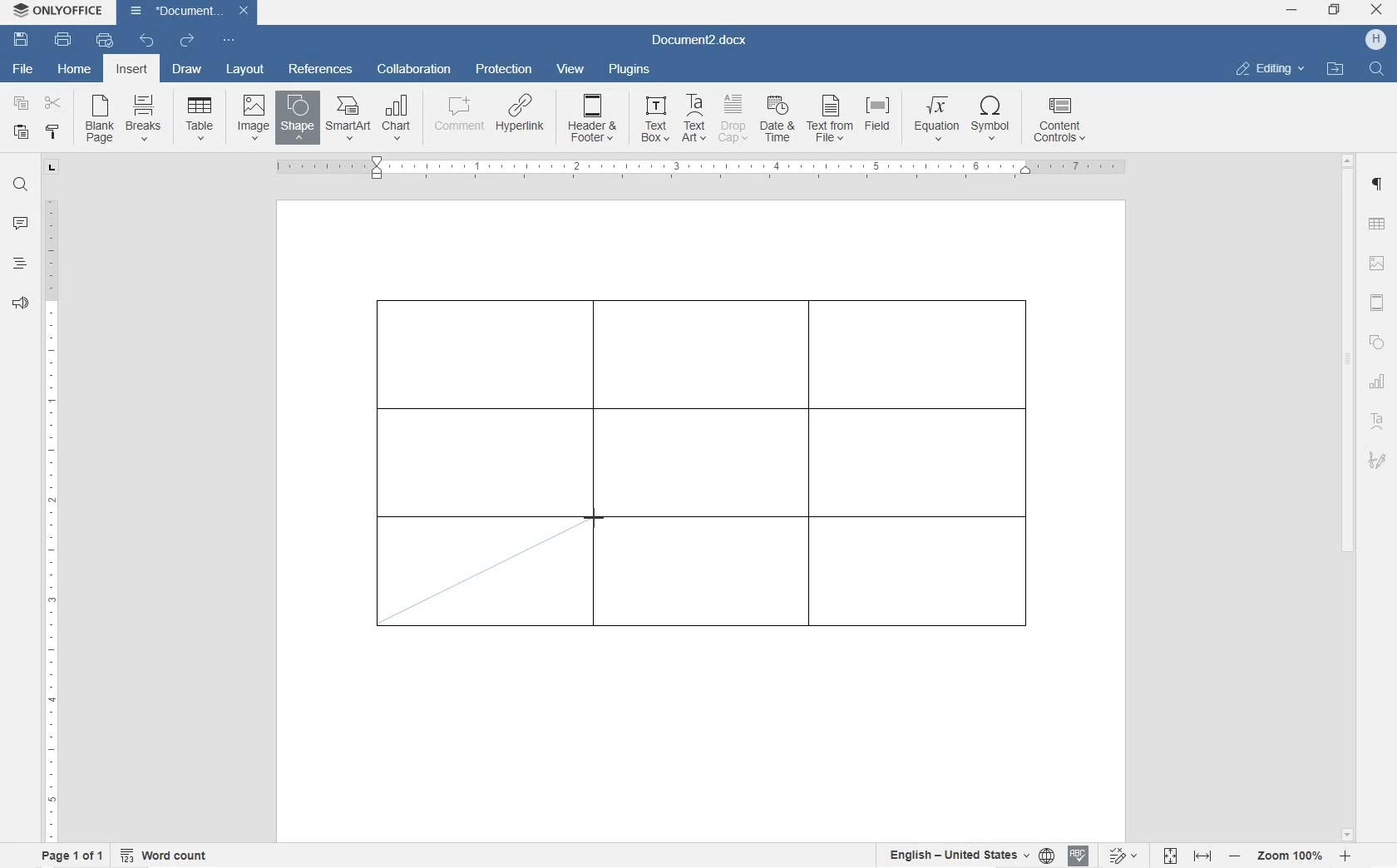  What do you see at coordinates (752, 167) in the screenshot?
I see `ruler` at bounding box center [752, 167].